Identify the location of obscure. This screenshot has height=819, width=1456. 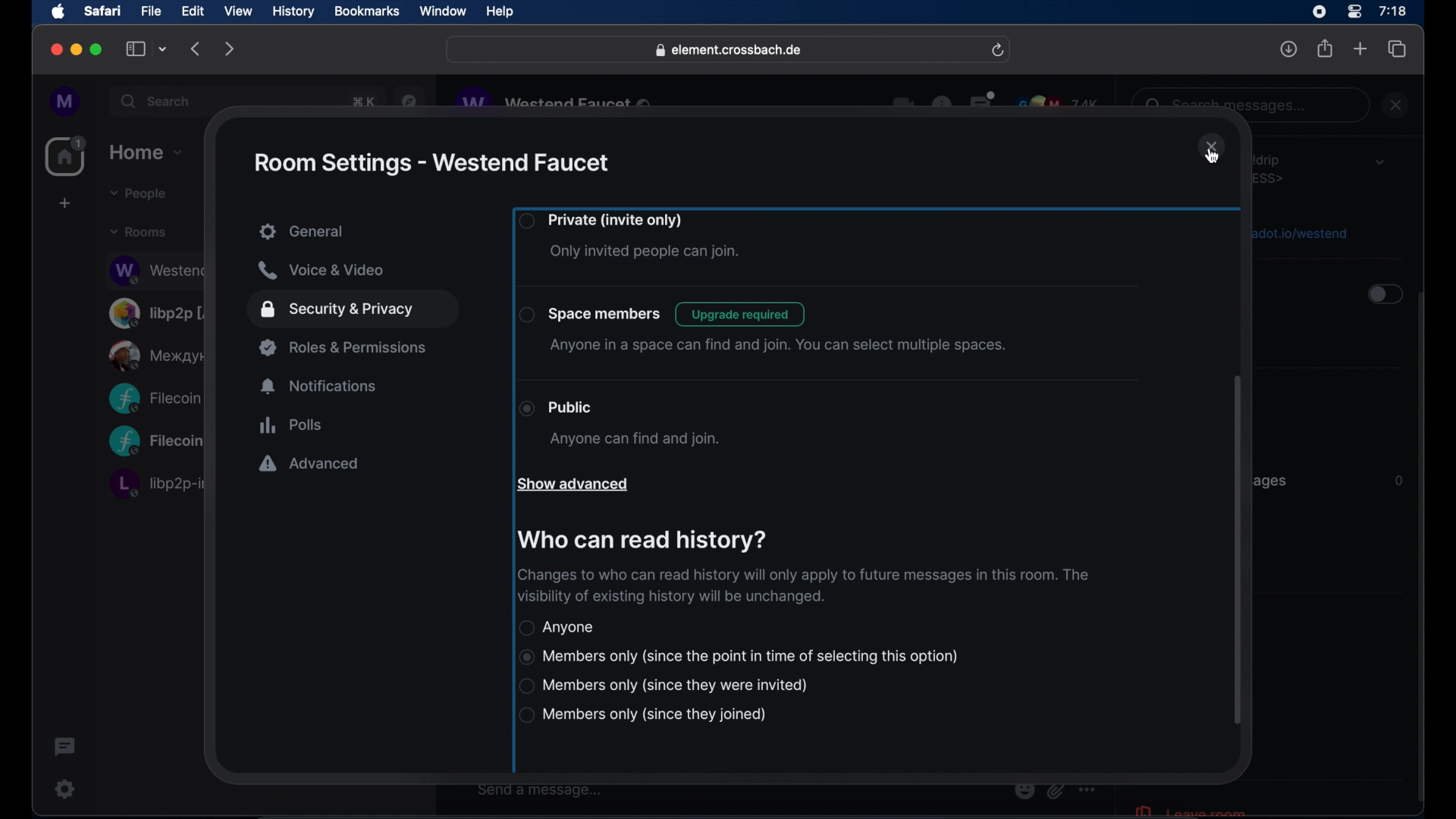
(156, 442).